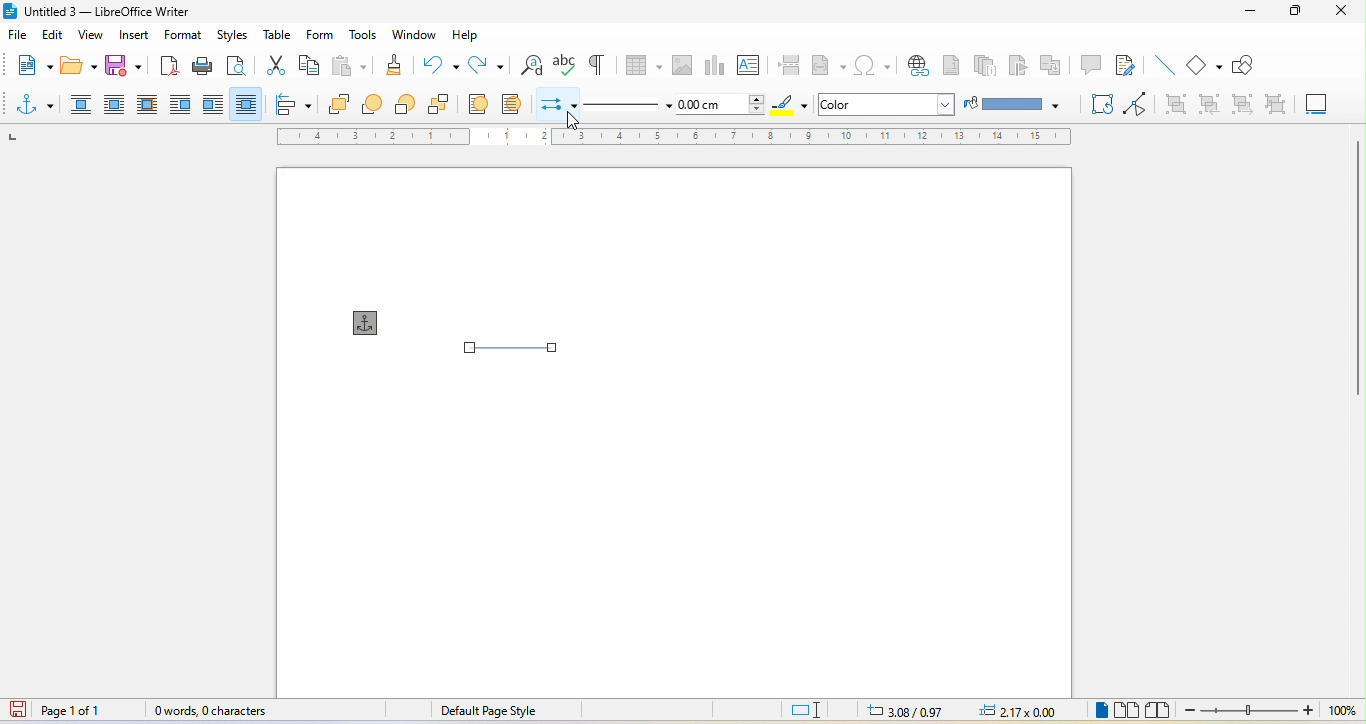 This screenshot has height=724, width=1366. Describe the element at coordinates (310, 64) in the screenshot. I see `copy` at that location.